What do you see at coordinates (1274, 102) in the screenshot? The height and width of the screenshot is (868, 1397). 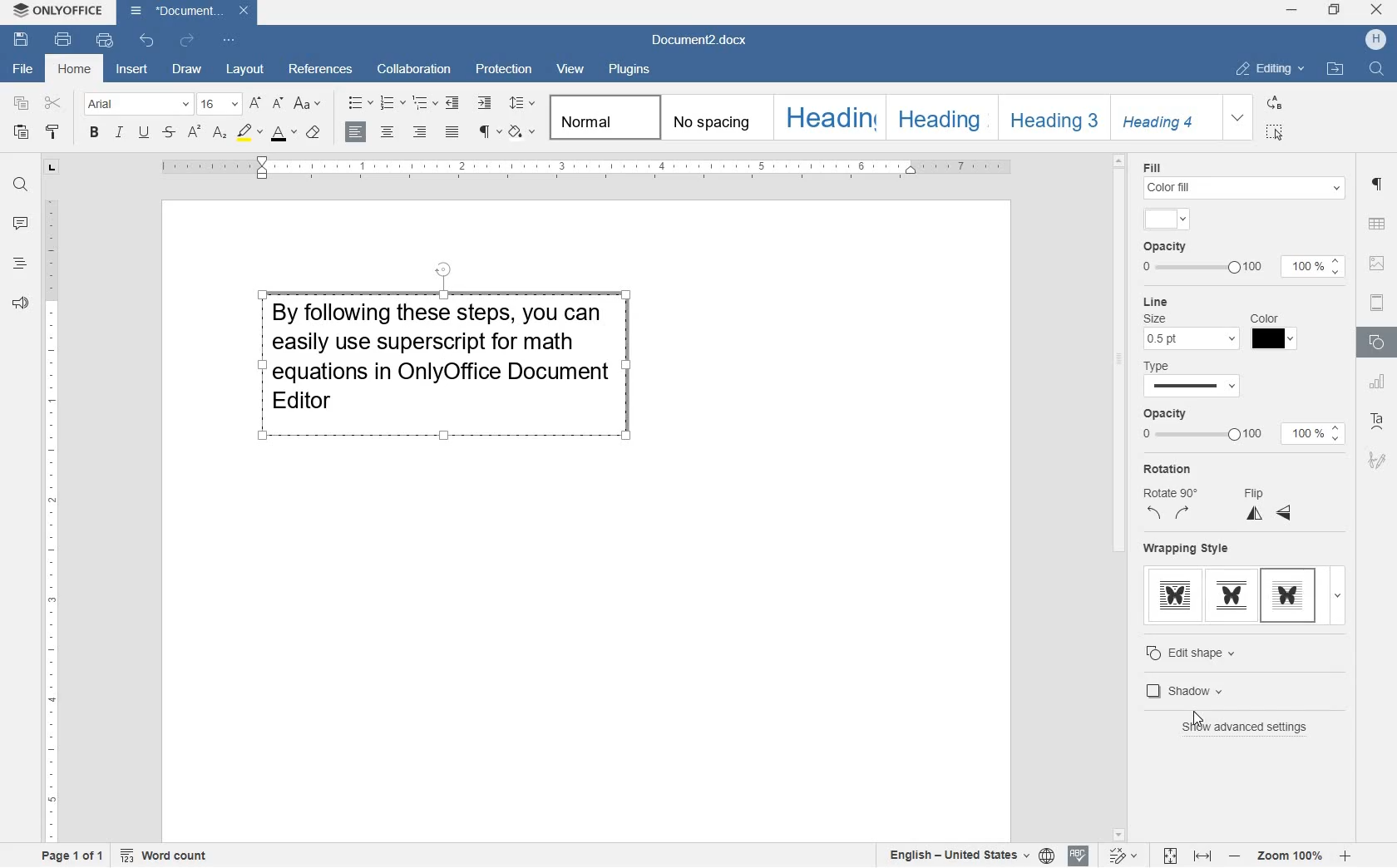 I see `REPLACE` at bounding box center [1274, 102].